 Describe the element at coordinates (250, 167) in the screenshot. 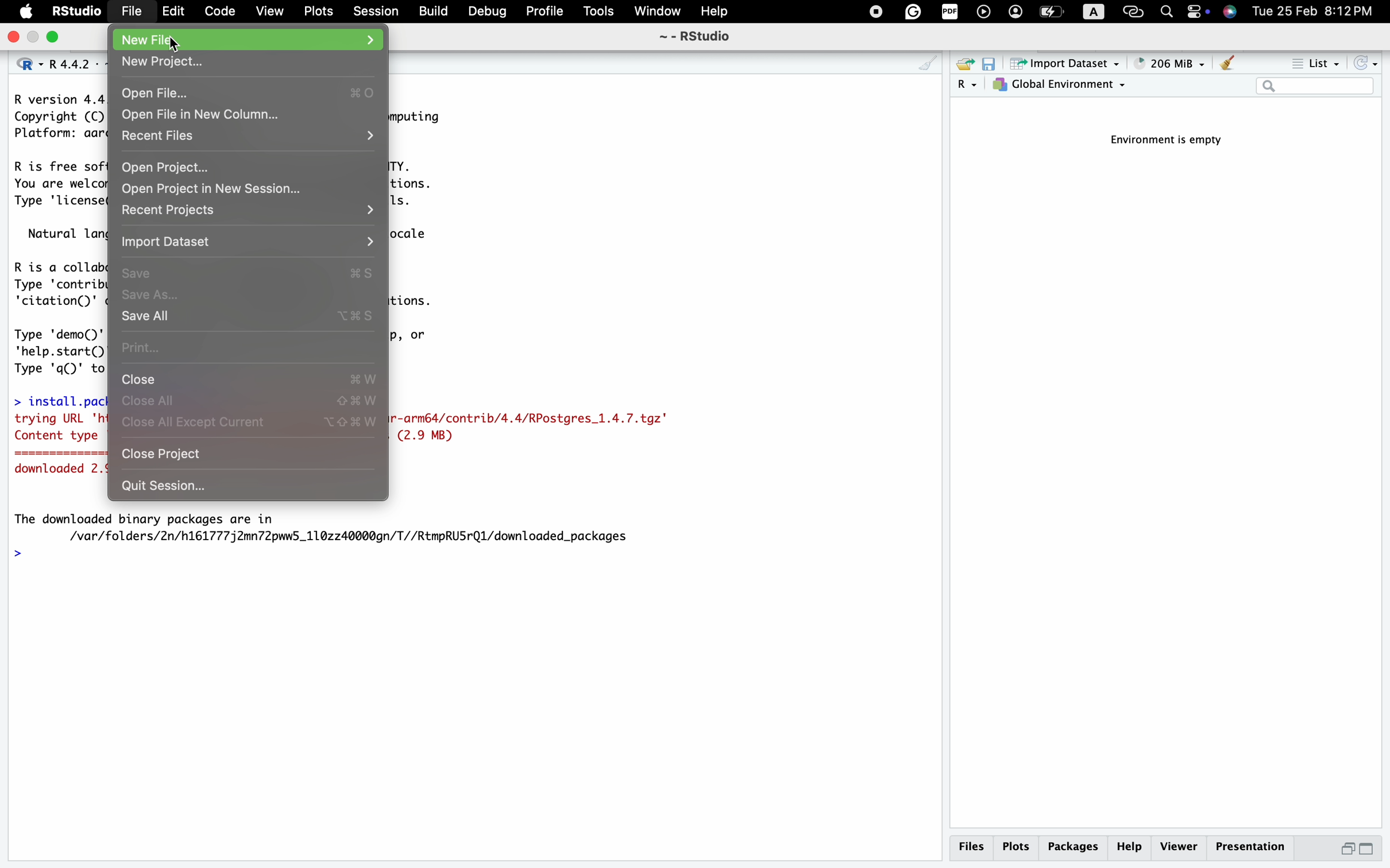

I see `open project` at that location.